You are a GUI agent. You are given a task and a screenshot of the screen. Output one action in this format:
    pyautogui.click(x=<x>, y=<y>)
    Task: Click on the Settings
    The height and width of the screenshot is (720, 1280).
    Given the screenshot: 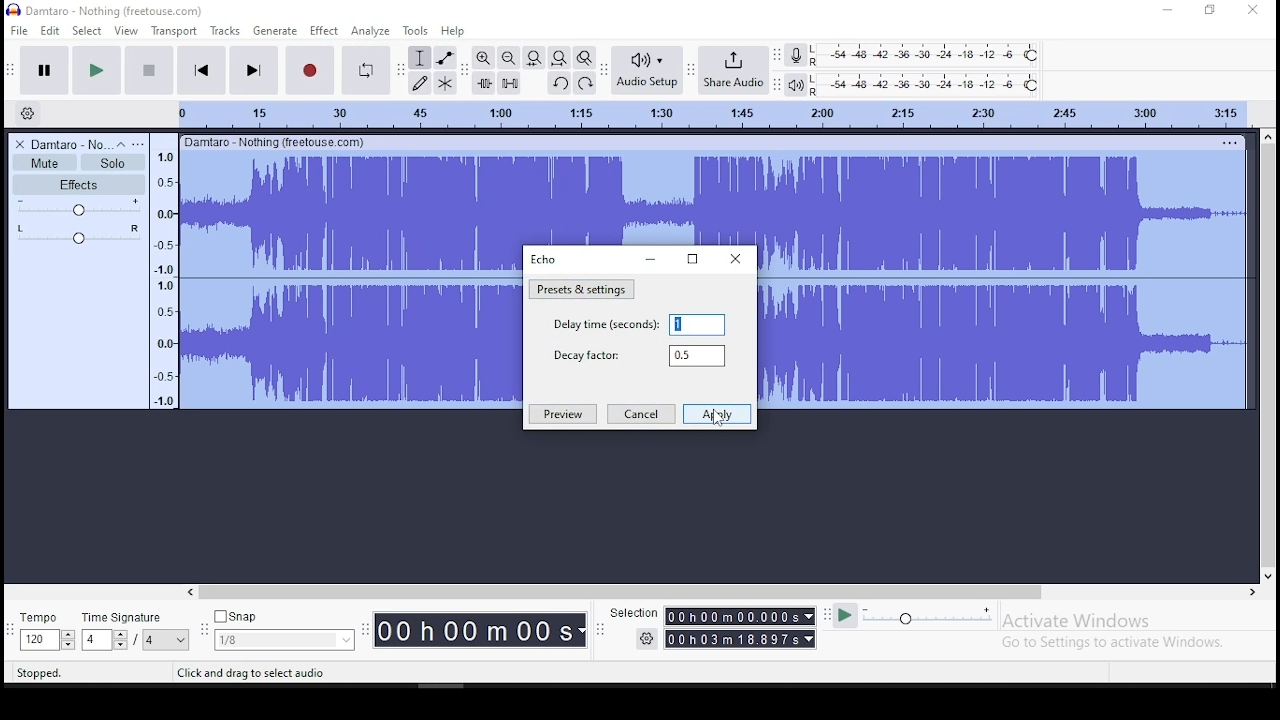 What is the action you would take?
    pyautogui.click(x=646, y=639)
    